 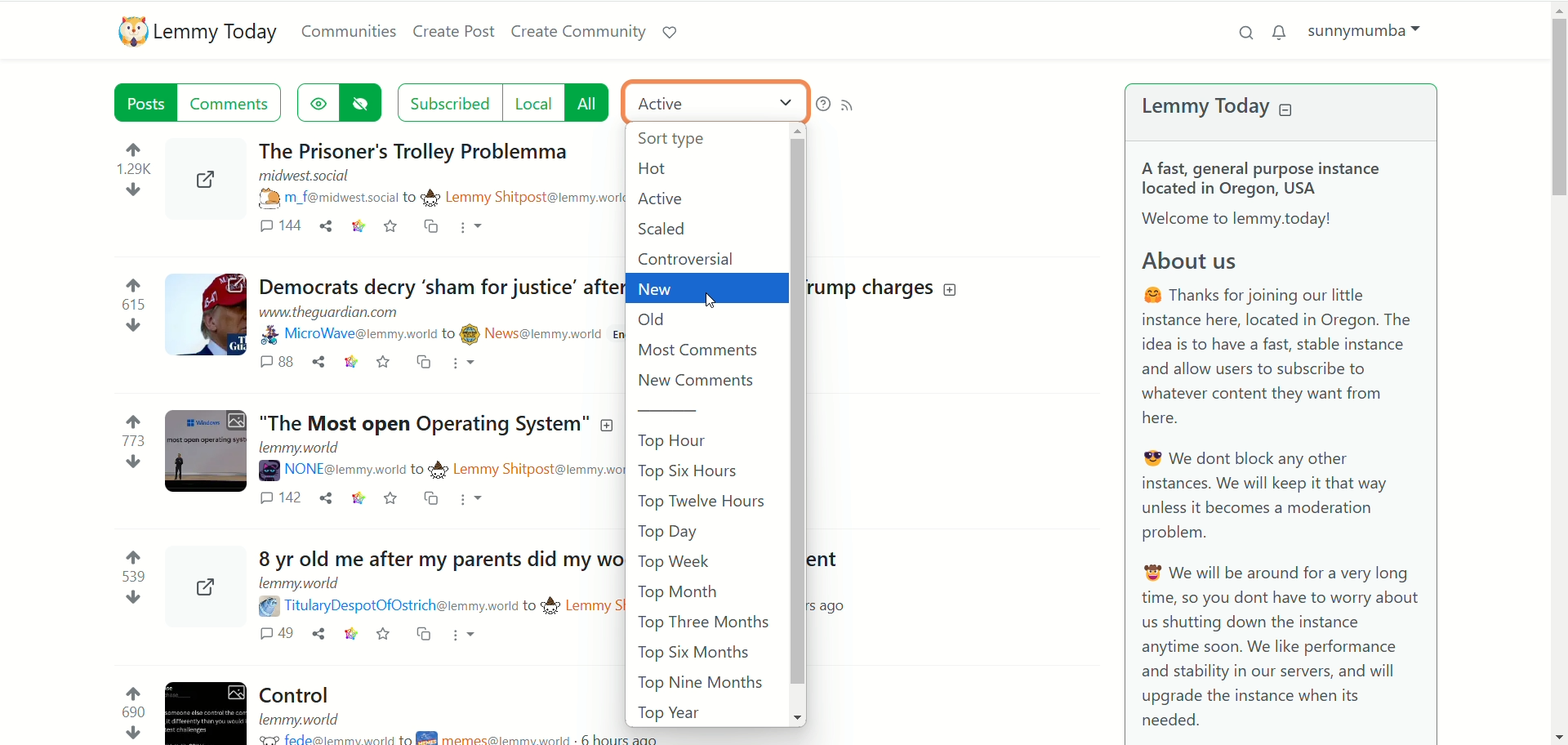 I want to click on Preview image, so click(x=203, y=587).